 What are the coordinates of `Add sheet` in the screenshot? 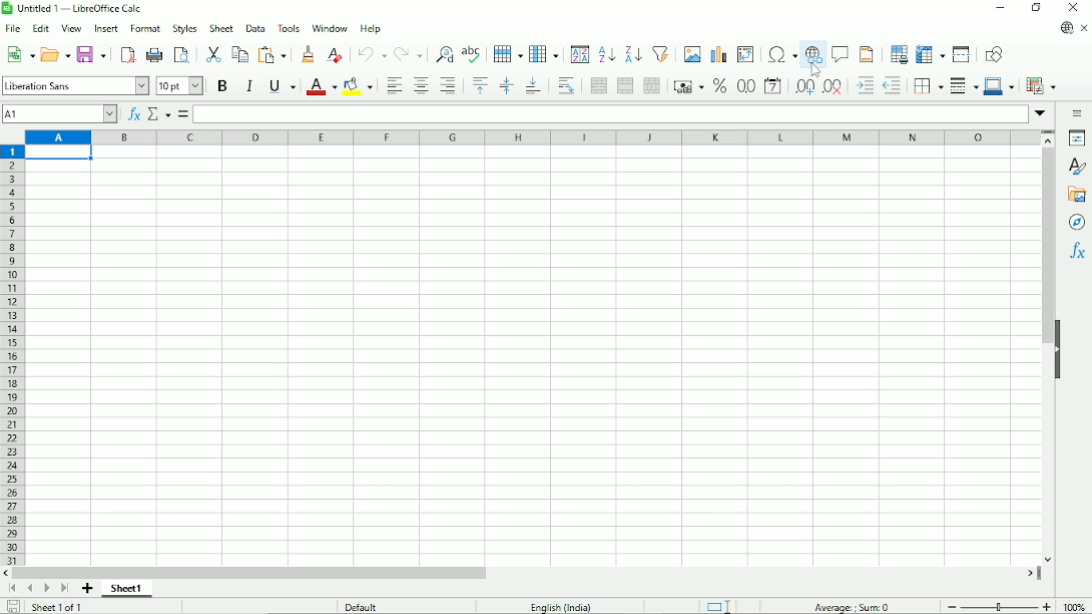 It's located at (88, 589).